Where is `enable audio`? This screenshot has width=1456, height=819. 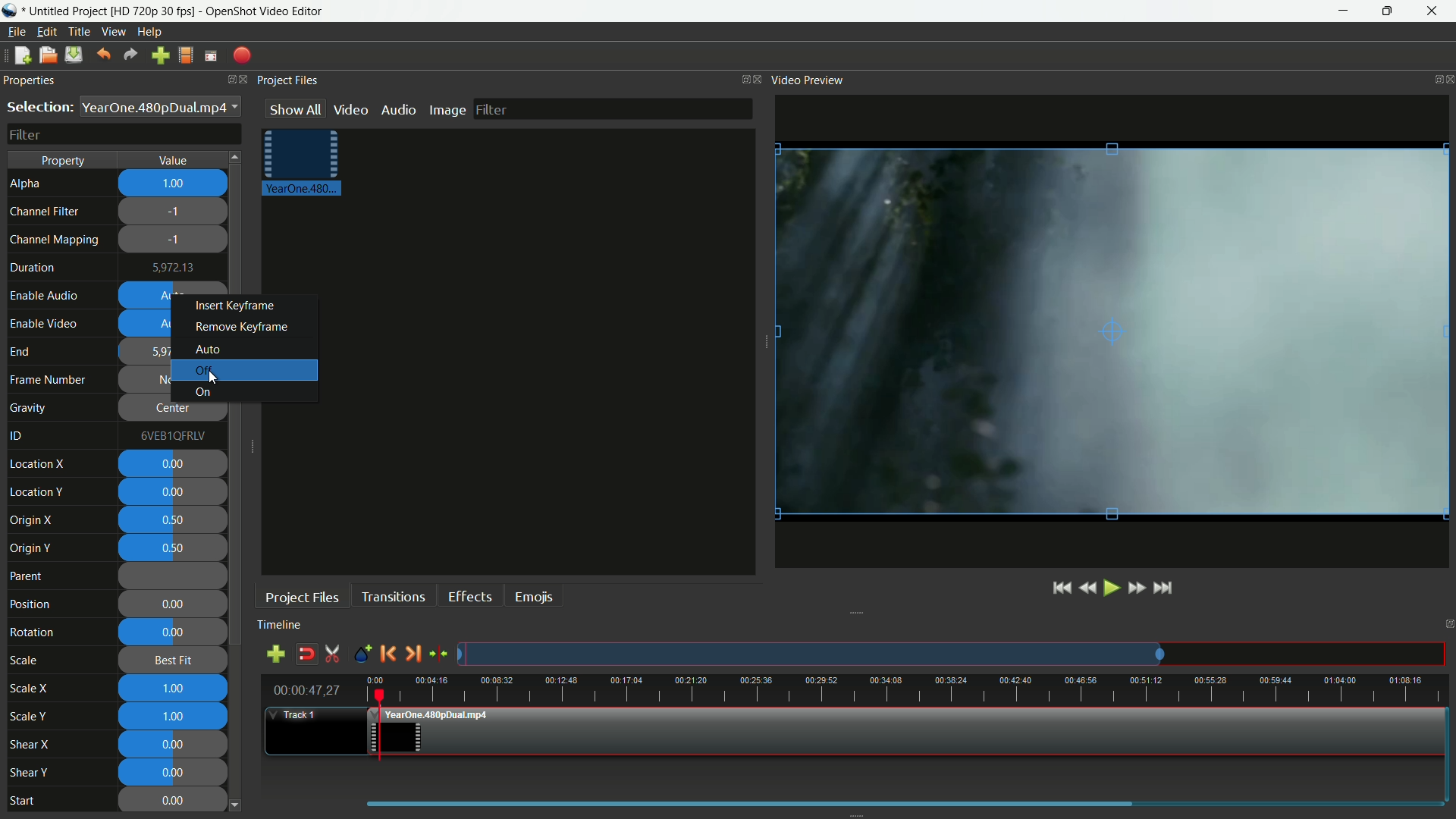
enable audio is located at coordinates (46, 296).